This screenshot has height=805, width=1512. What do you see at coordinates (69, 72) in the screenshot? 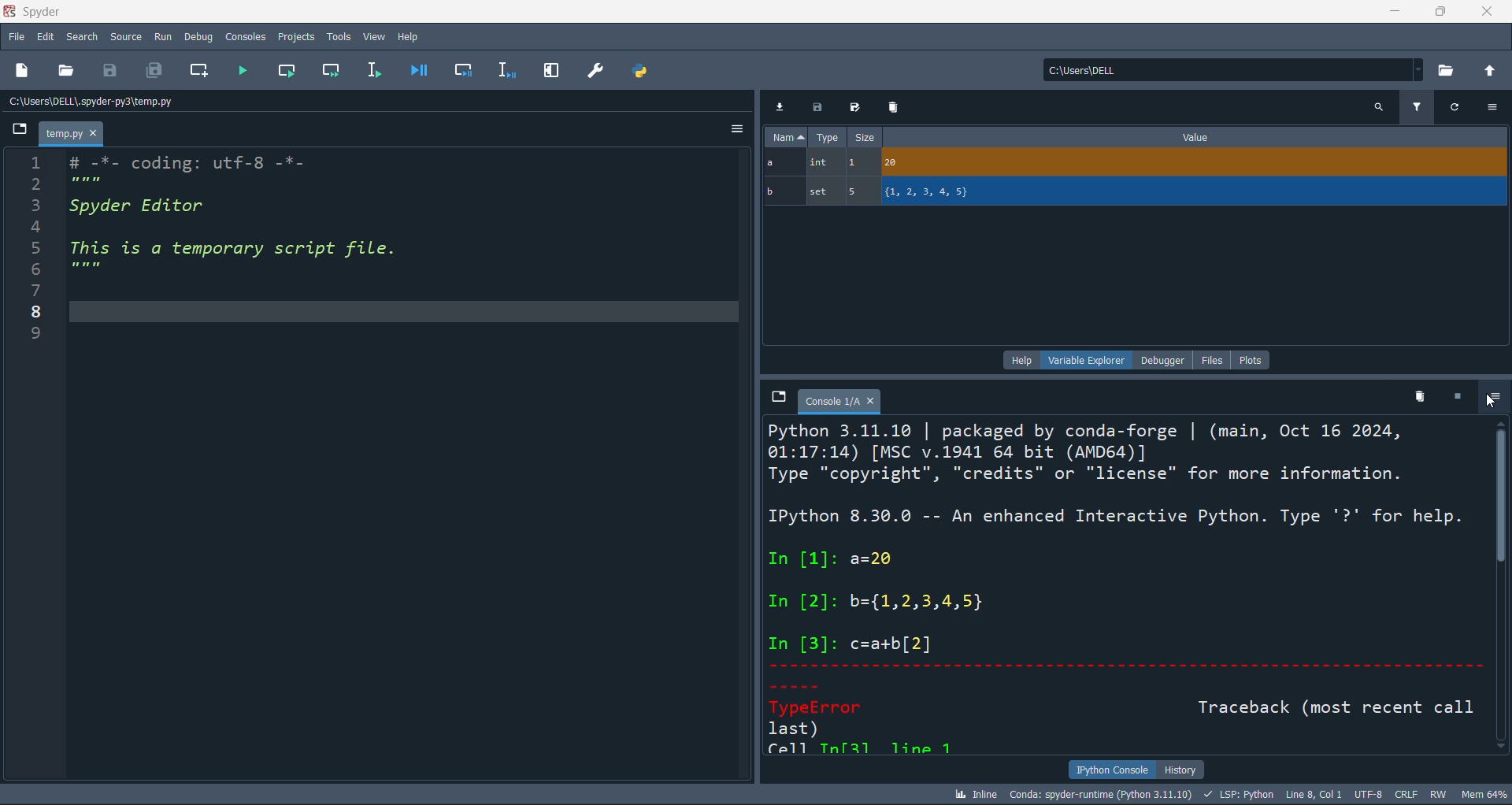
I see `open file` at bounding box center [69, 72].